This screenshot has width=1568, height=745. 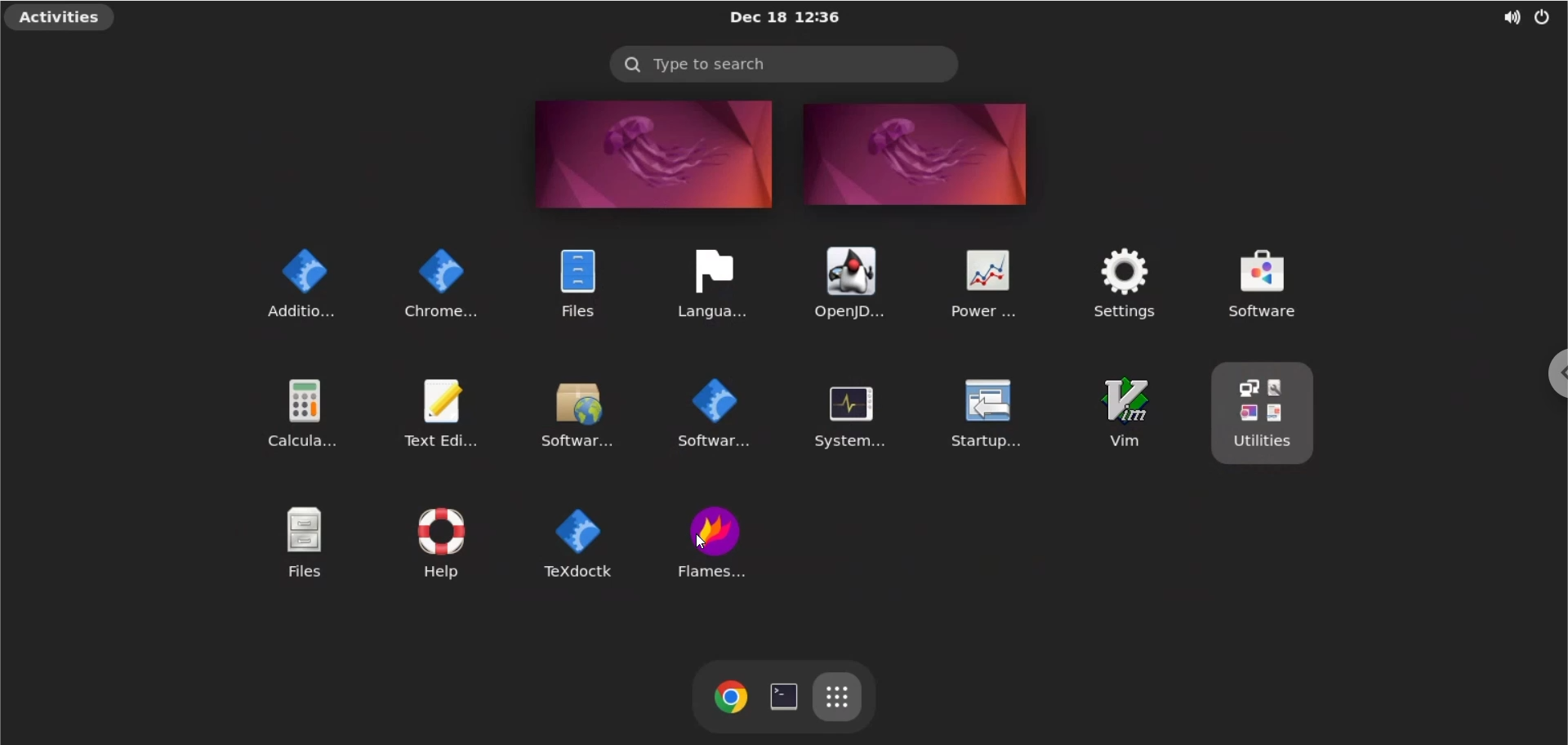 What do you see at coordinates (293, 542) in the screenshot?
I see `files` at bounding box center [293, 542].